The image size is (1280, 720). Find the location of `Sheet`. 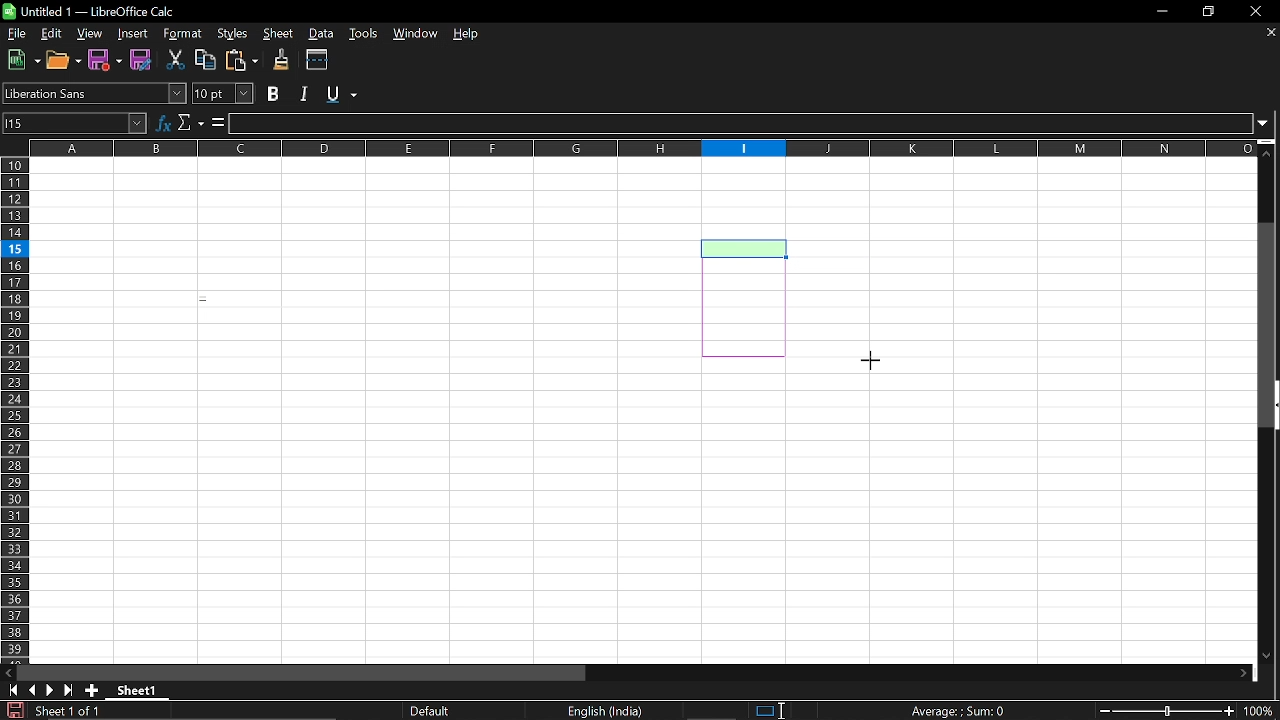

Sheet is located at coordinates (277, 34).